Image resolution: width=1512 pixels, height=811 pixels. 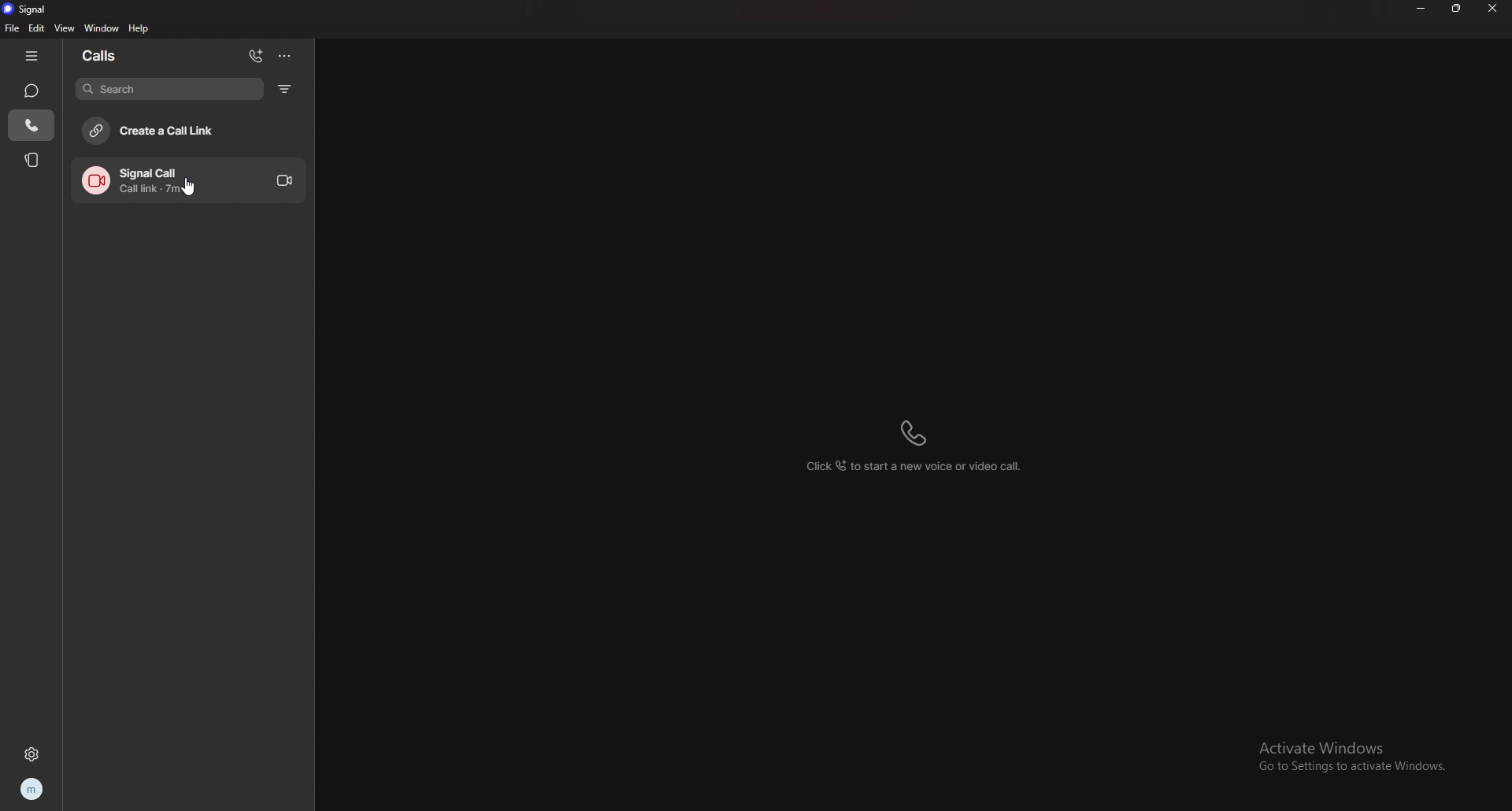 I want to click on view, so click(x=64, y=28).